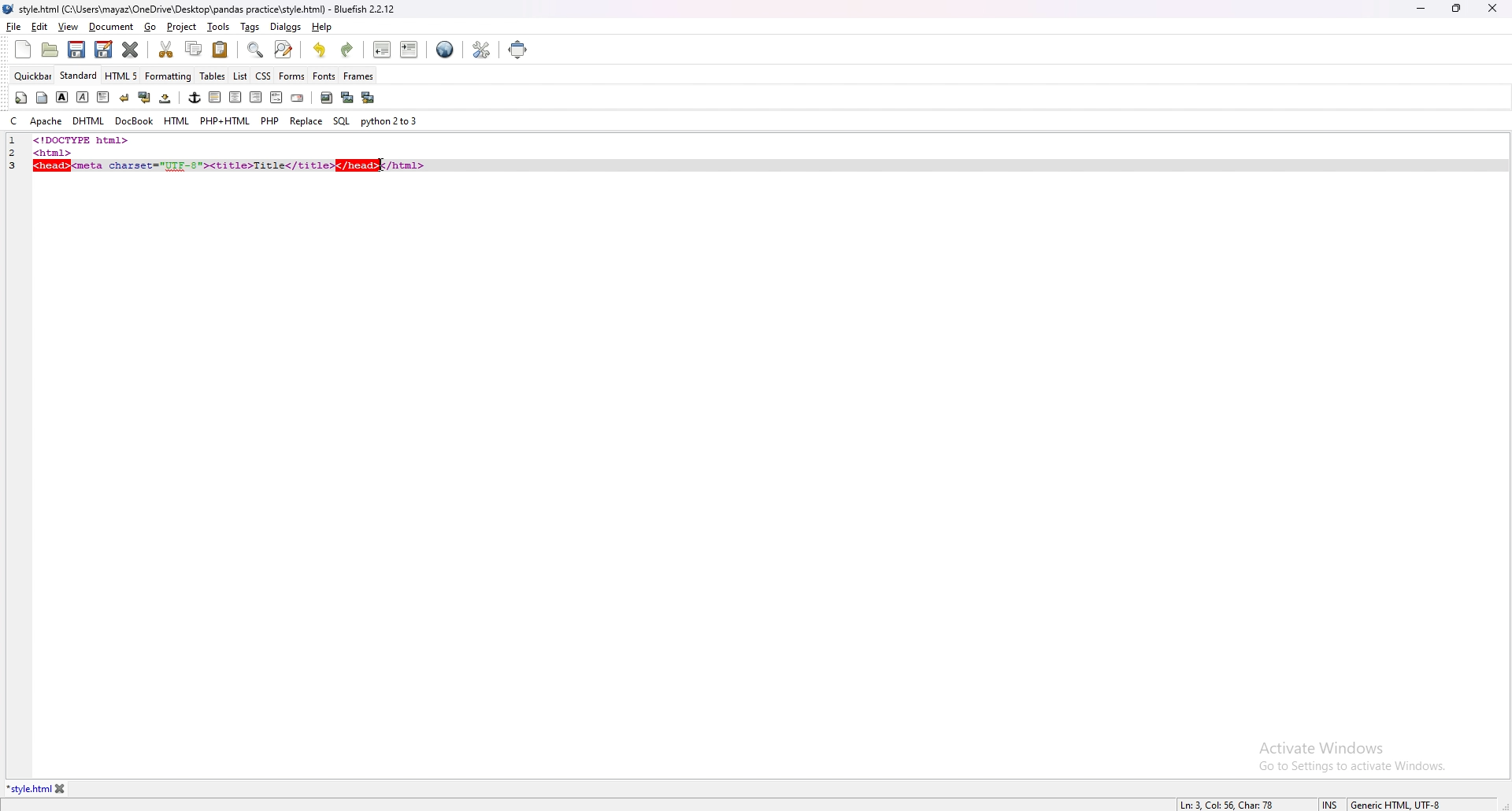 This screenshot has width=1512, height=811. What do you see at coordinates (20, 98) in the screenshot?
I see `quickstart` at bounding box center [20, 98].